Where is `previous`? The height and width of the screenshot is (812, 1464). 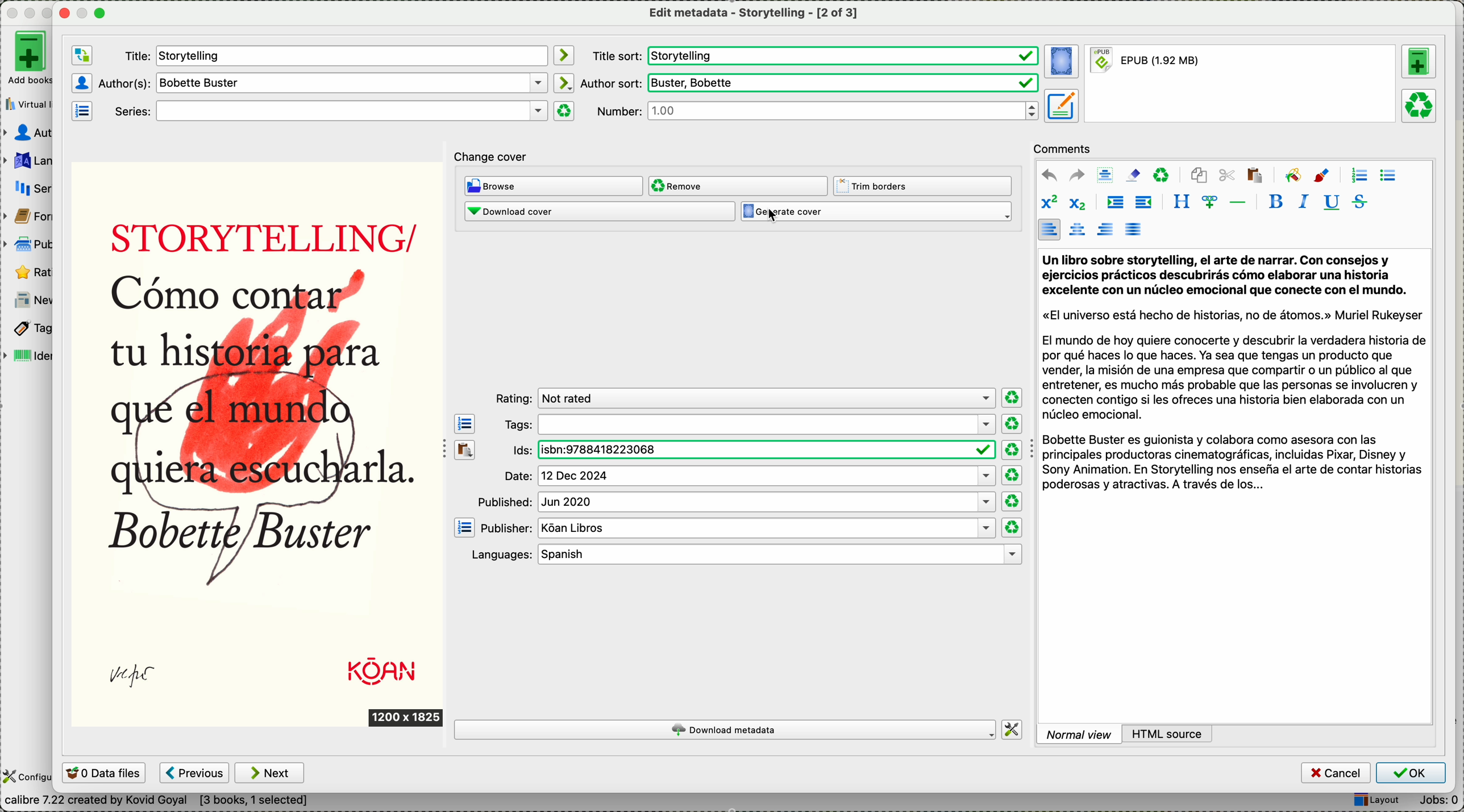
previous is located at coordinates (195, 772).